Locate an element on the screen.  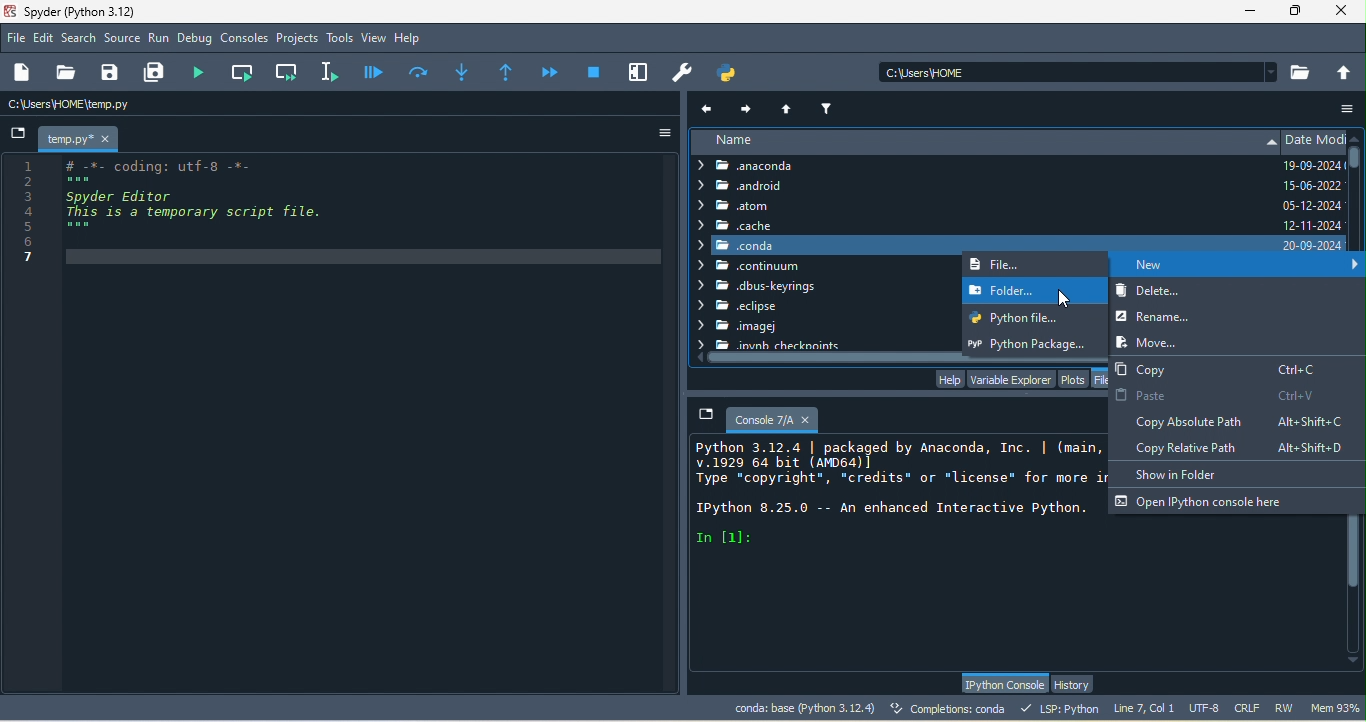
eclipse is located at coordinates (737, 307).